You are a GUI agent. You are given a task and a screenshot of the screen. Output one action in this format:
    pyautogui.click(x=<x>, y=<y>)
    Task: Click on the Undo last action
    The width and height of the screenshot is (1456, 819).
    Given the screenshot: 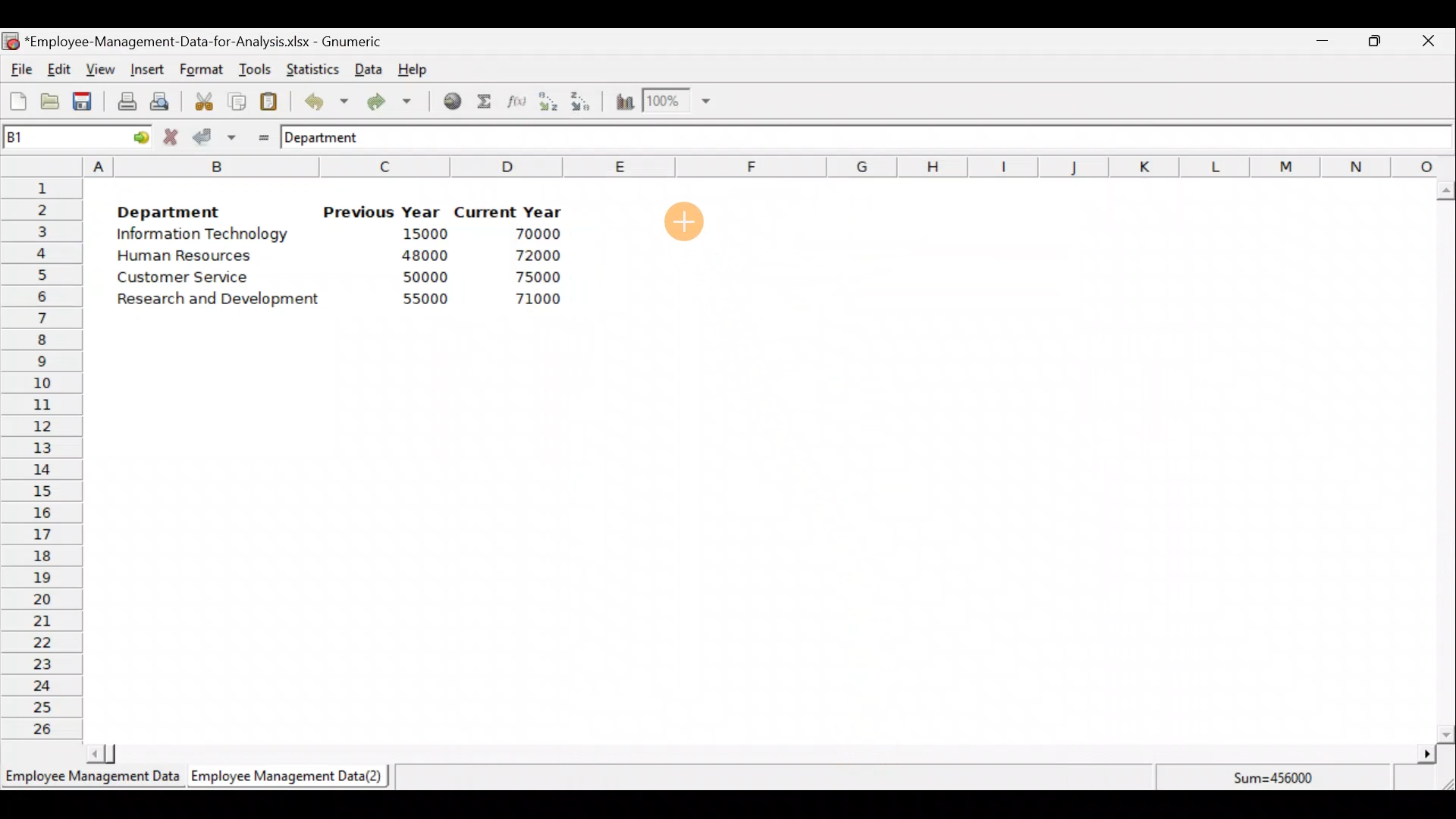 What is the action you would take?
    pyautogui.click(x=318, y=98)
    